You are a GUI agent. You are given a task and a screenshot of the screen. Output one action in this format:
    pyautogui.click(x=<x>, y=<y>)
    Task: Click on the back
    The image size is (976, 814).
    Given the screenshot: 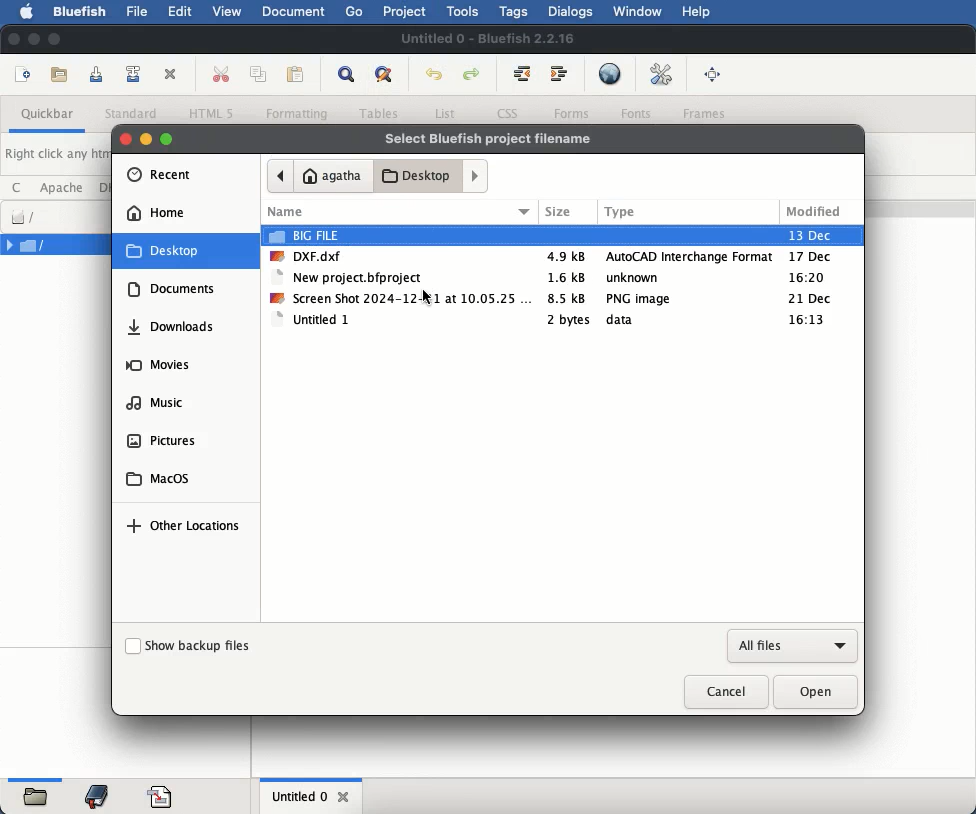 What is the action you would take?
    pyautogui.click(x=278, y=176)
    